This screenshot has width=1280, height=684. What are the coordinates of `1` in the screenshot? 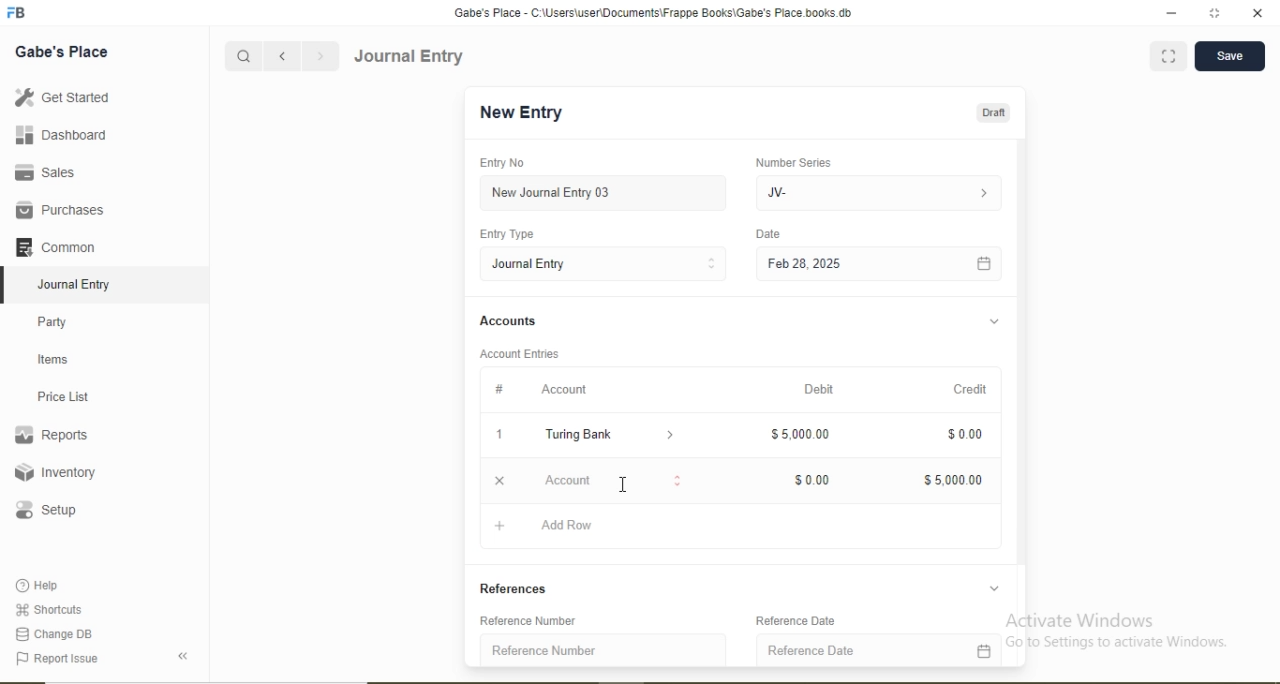 It's located at (499, 434).